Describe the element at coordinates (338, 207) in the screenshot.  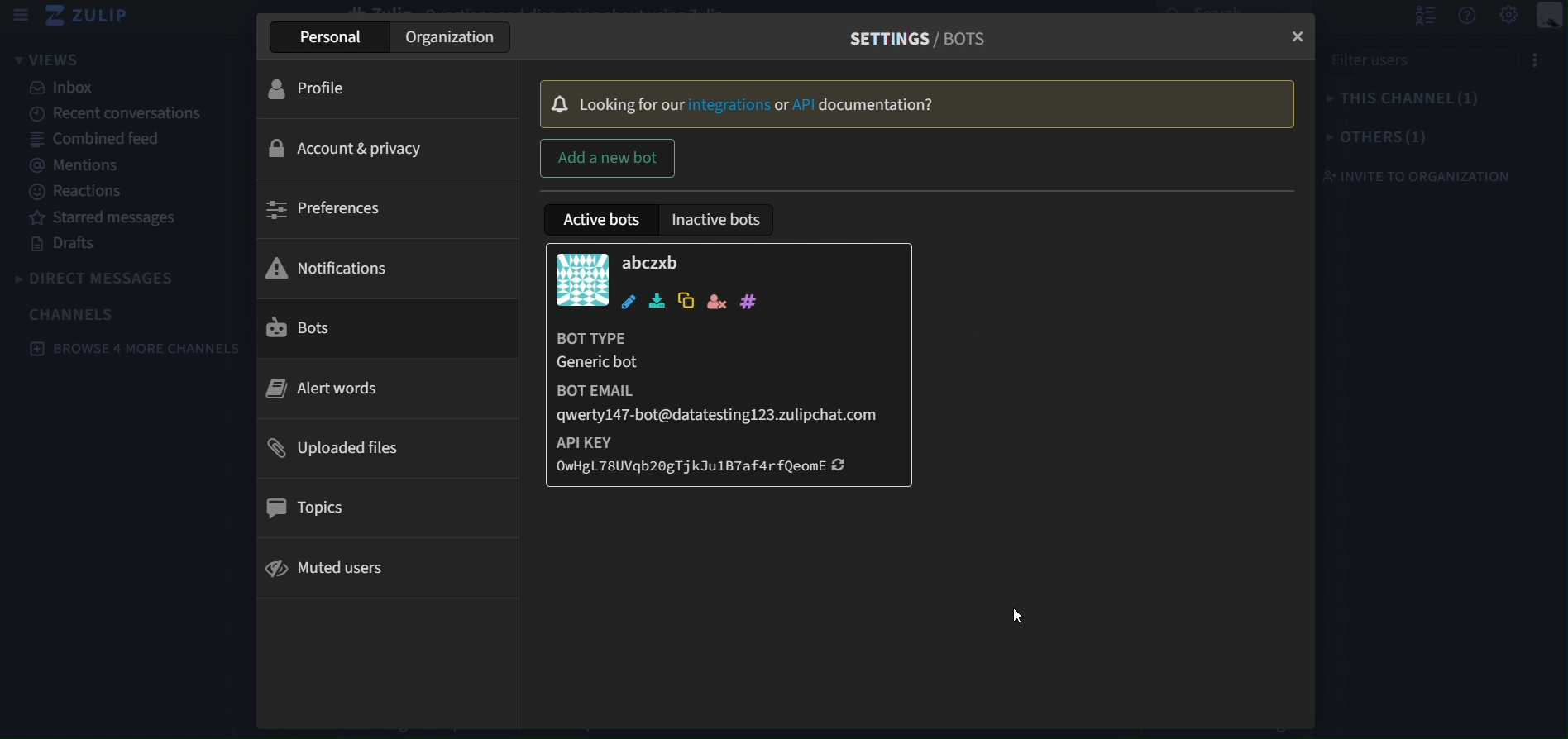
I see `preferences` at that location.